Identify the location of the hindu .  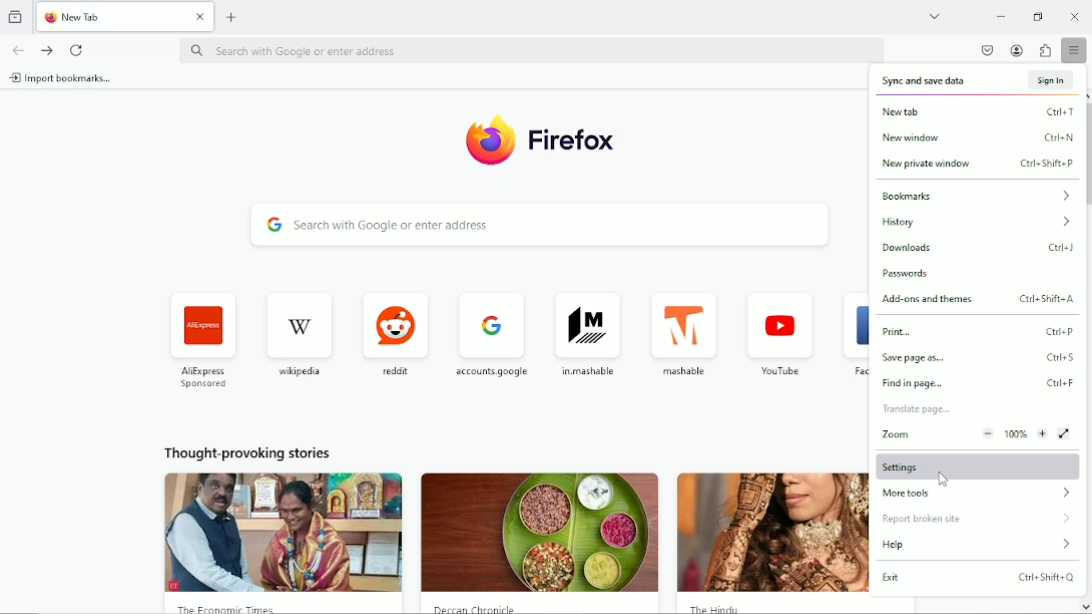
(717, 607).